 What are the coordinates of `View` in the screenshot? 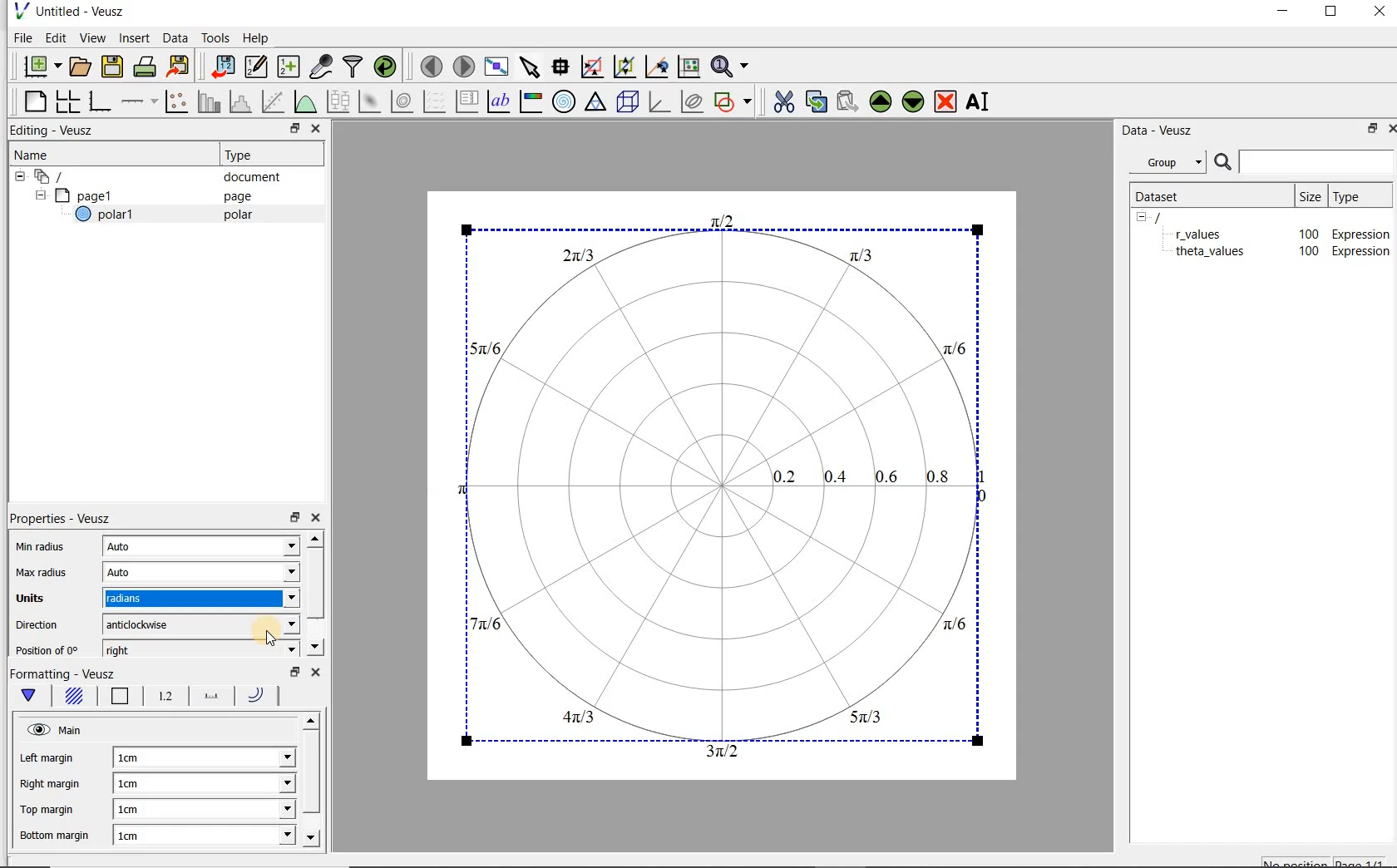 It's located at (92, 36).